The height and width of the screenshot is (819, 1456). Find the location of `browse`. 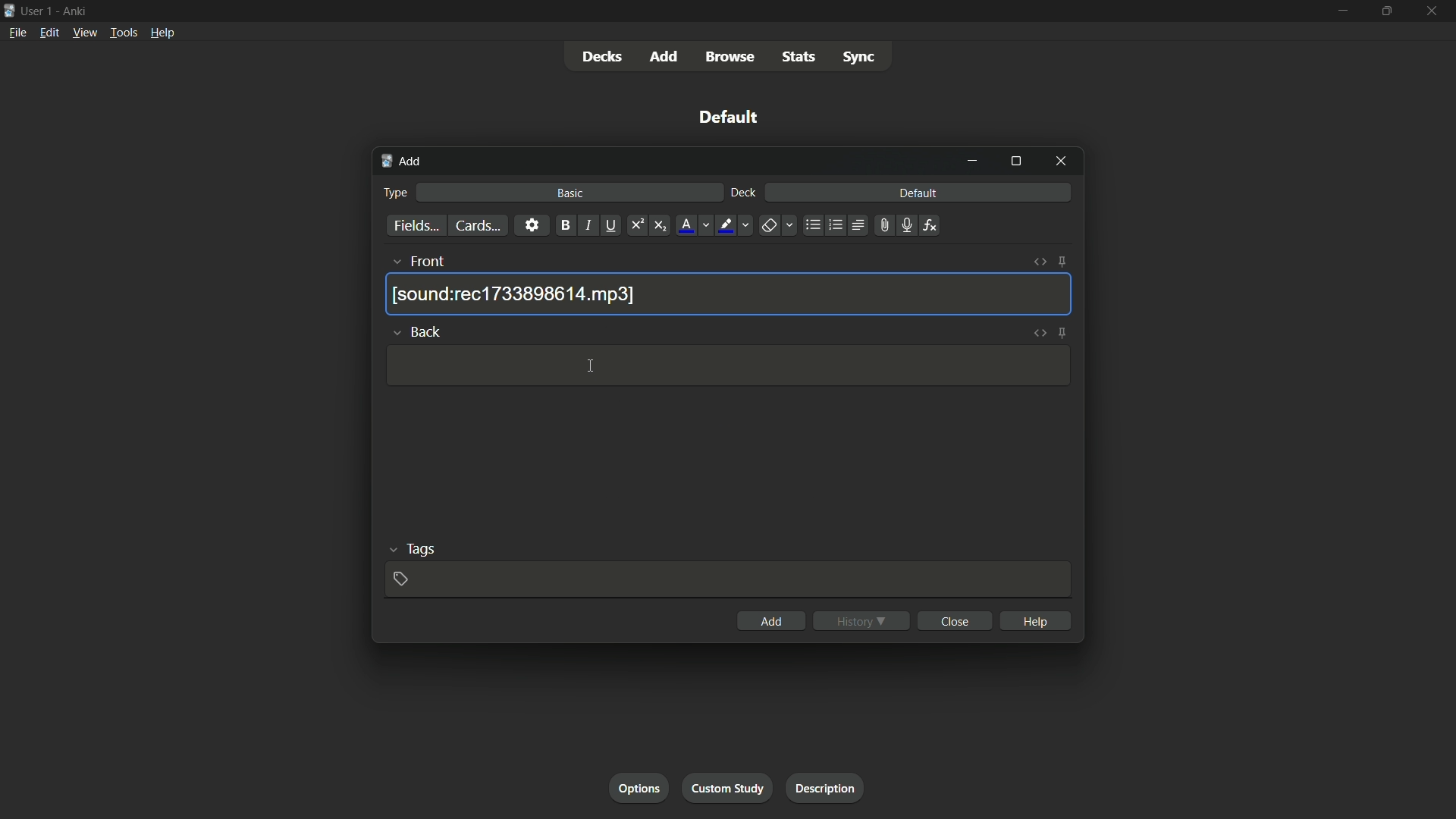

browse is located at coordinates (733, 57).